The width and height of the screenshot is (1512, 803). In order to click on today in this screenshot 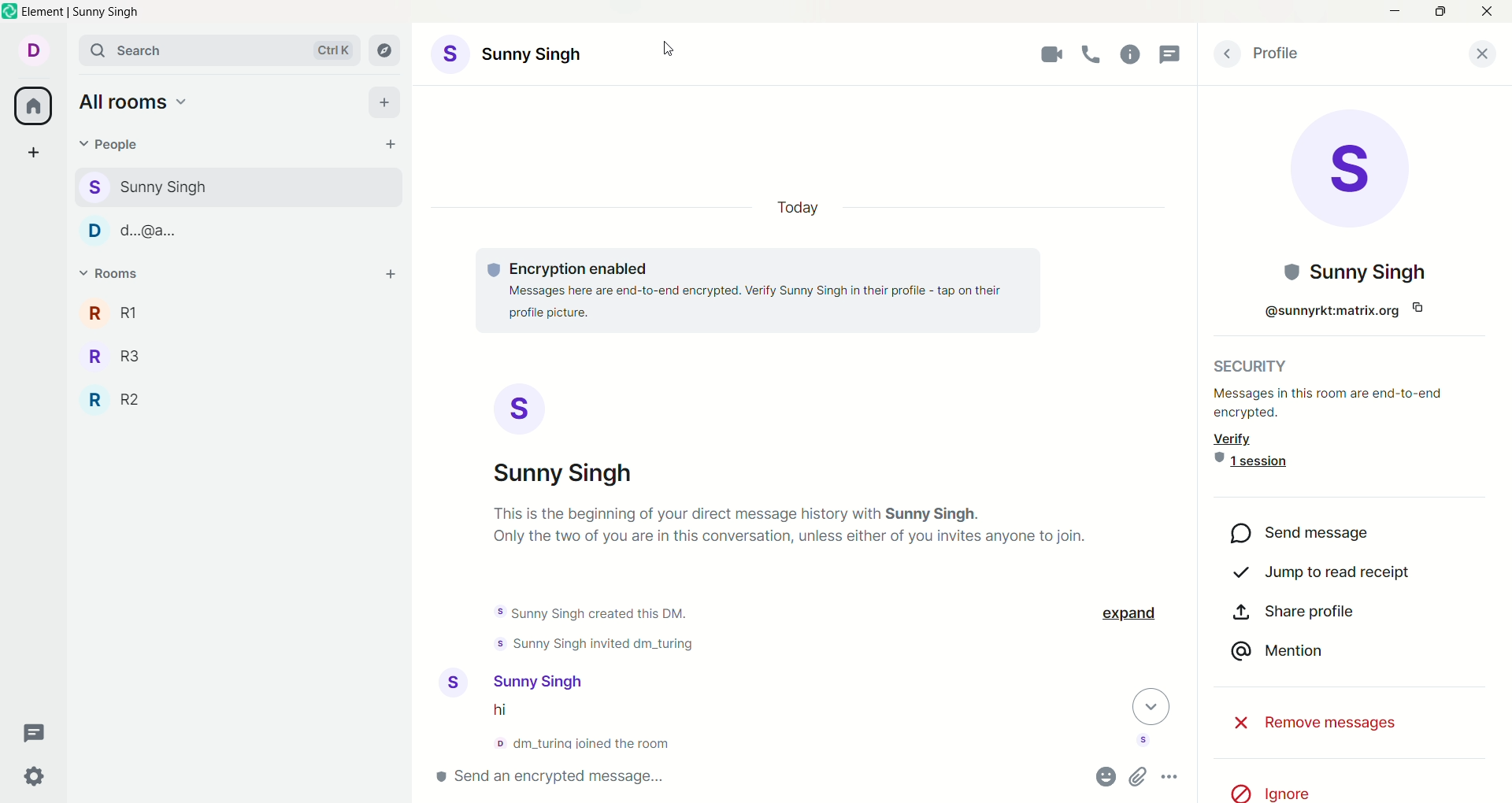, I will do `click(798, 206)`.